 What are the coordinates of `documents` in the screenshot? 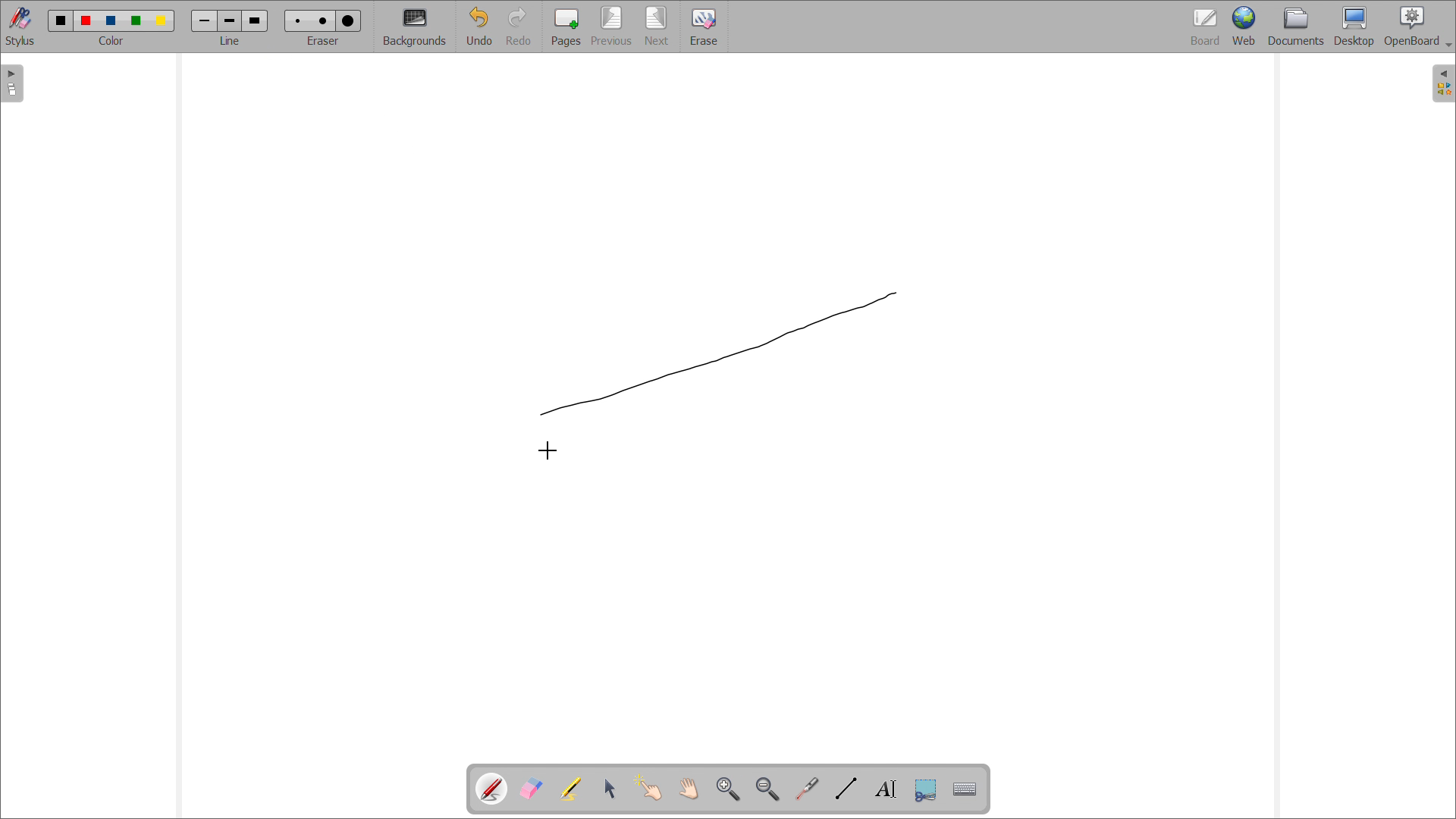 It's located at (1296, 27).